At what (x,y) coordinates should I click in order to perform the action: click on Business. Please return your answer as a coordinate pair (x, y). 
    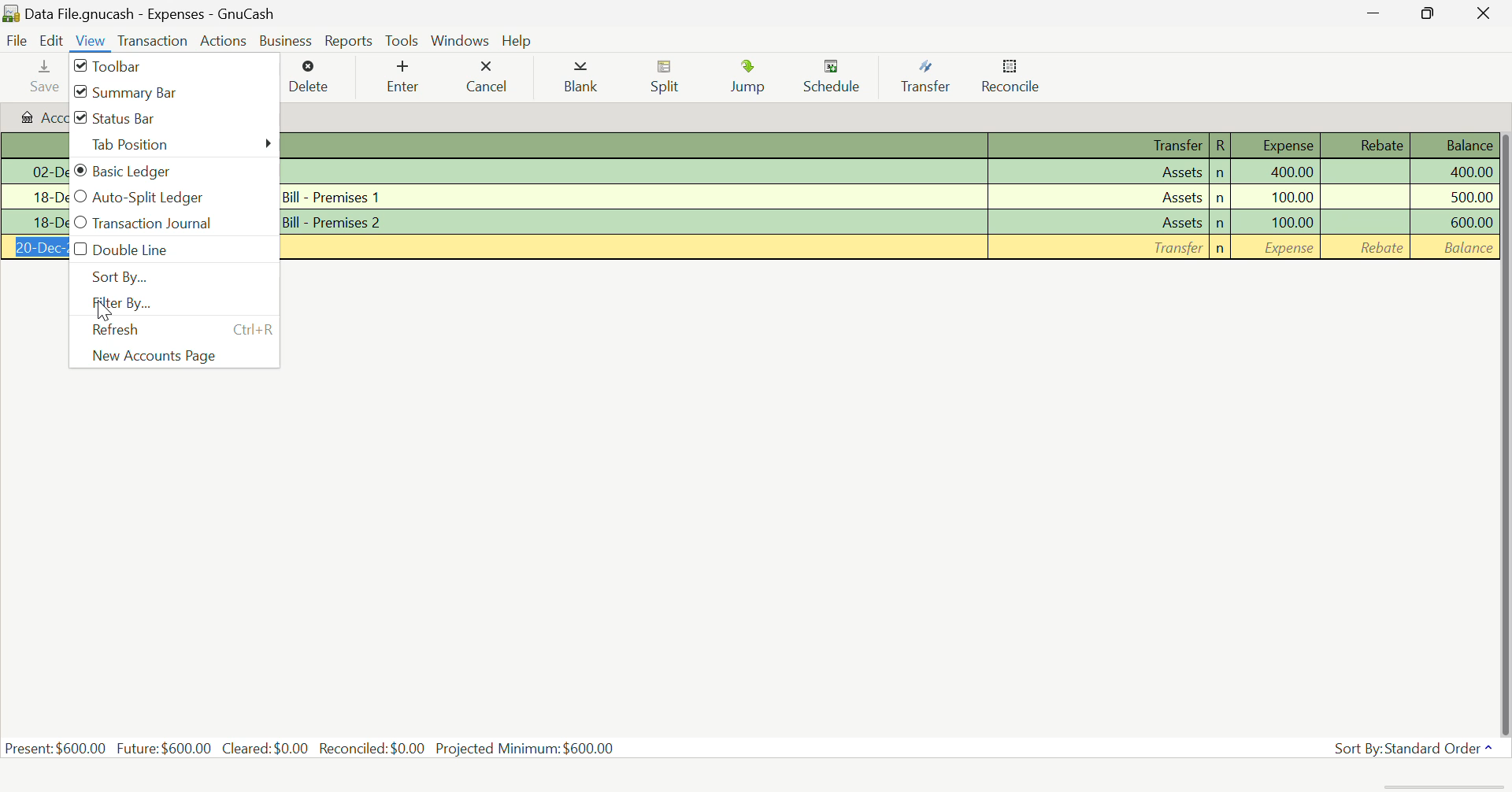
    Looking at the image, I should click on (287, 41).